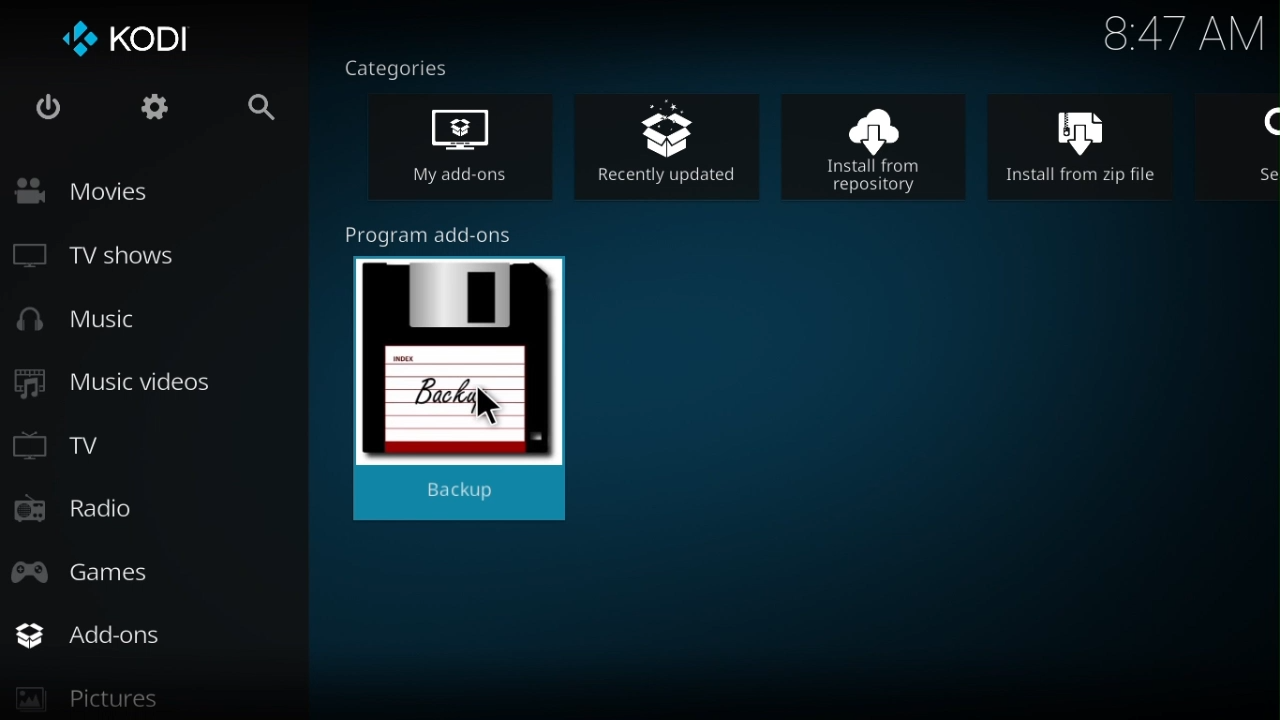  What do you see at coordinates (886, 144) in the screenshot?
I see `Install from repository` at bounding box center [886, 144].